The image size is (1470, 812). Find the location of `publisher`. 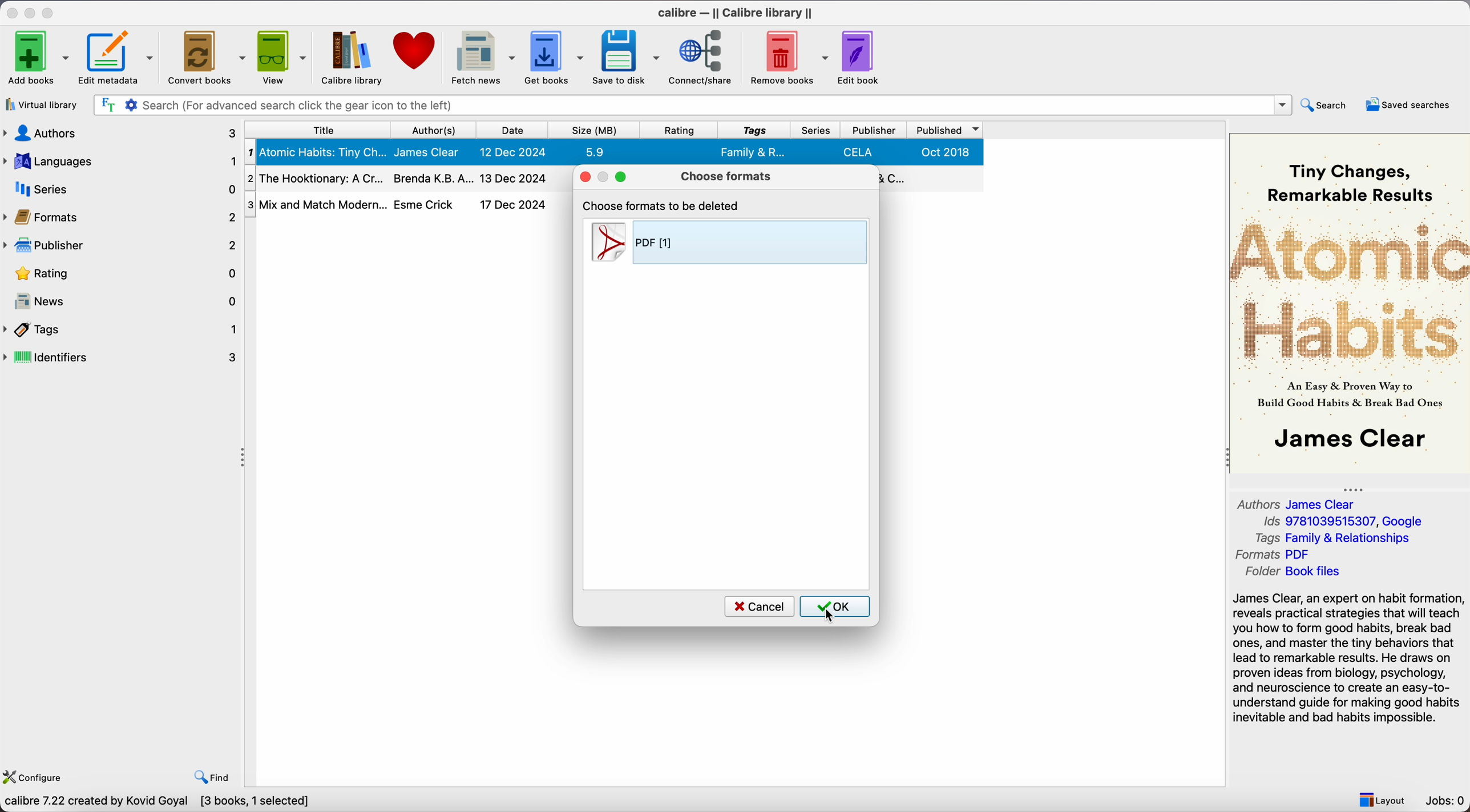

publisher is located at coordinates (122, 245).